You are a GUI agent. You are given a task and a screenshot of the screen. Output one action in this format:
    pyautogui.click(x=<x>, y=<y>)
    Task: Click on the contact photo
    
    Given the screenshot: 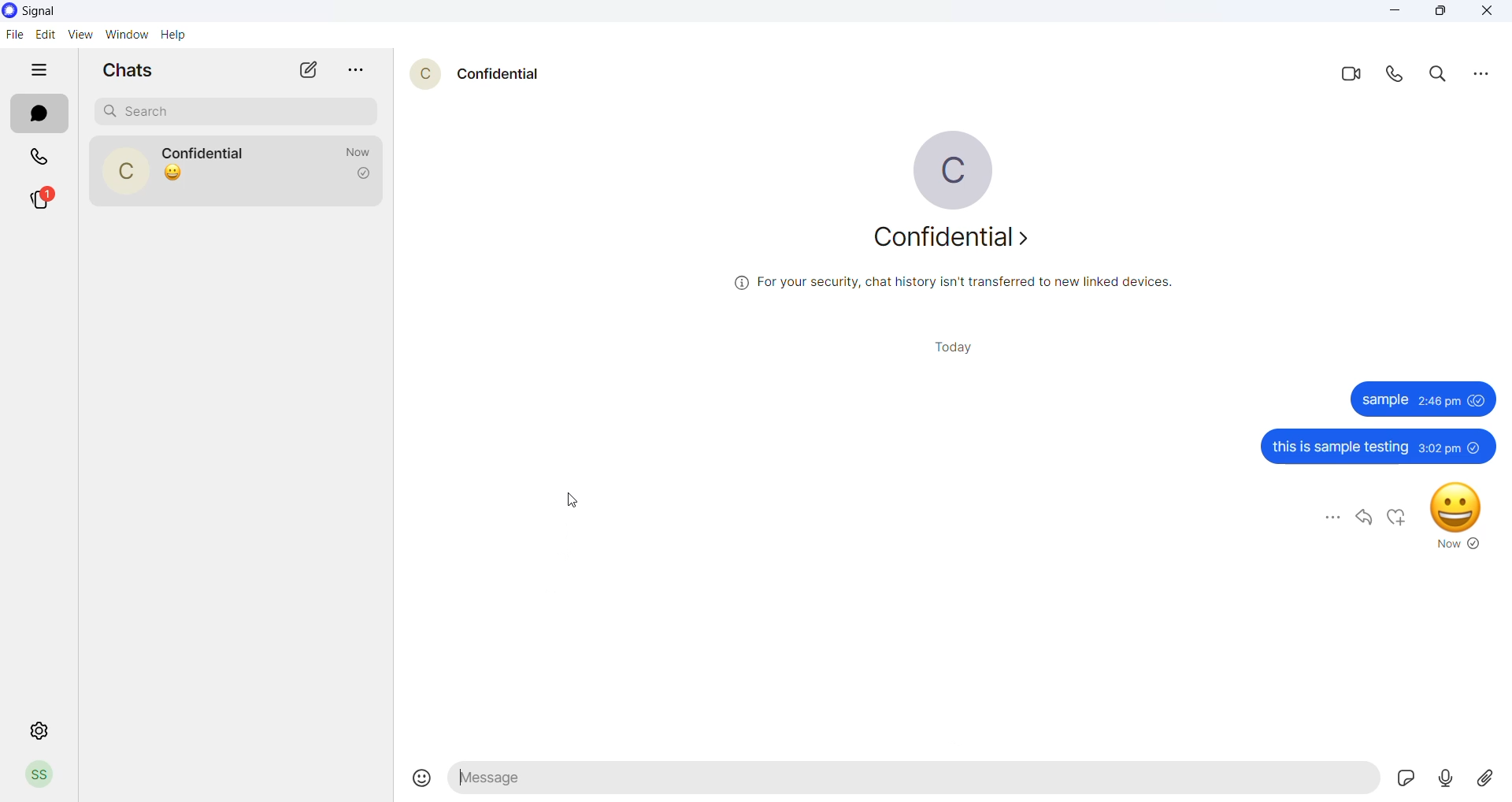 What is the action you would take?
    pyautogui.click(x=124, y=171)
    